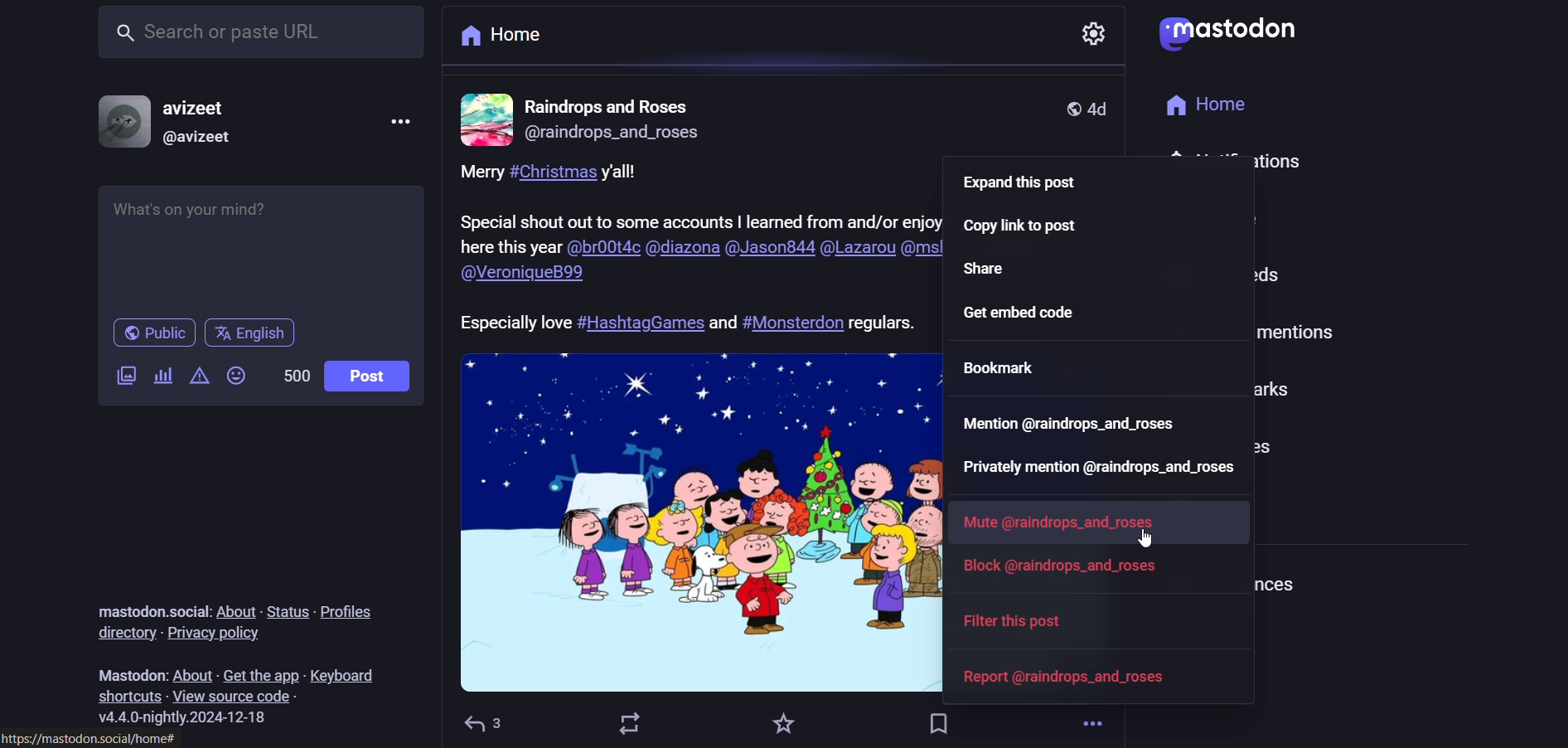  Describe the element at coordinates (163, 378) in the screenshot. I see `add a poll` at that location.